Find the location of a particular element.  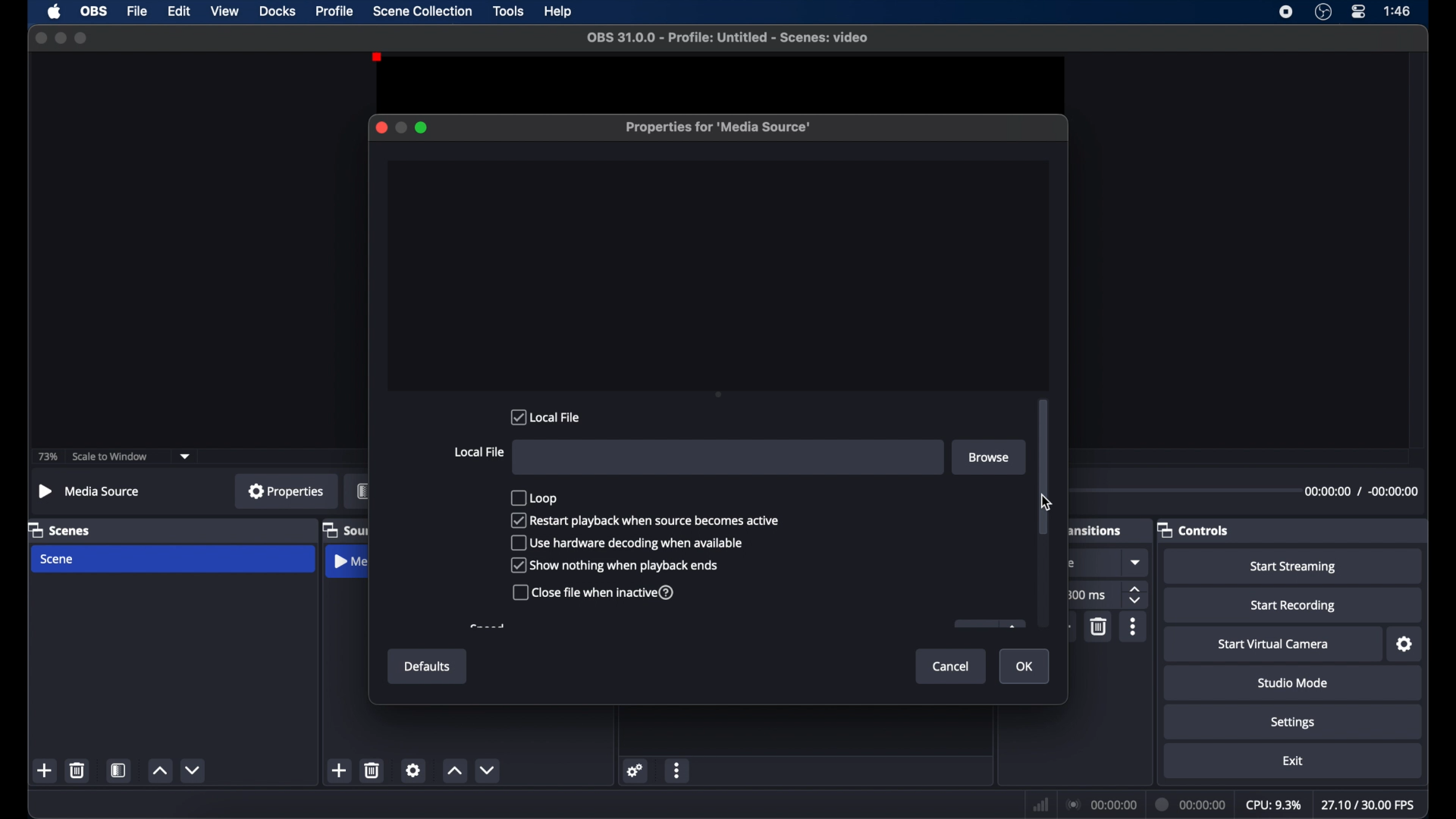

settings is located at coordinates (1405, 645).